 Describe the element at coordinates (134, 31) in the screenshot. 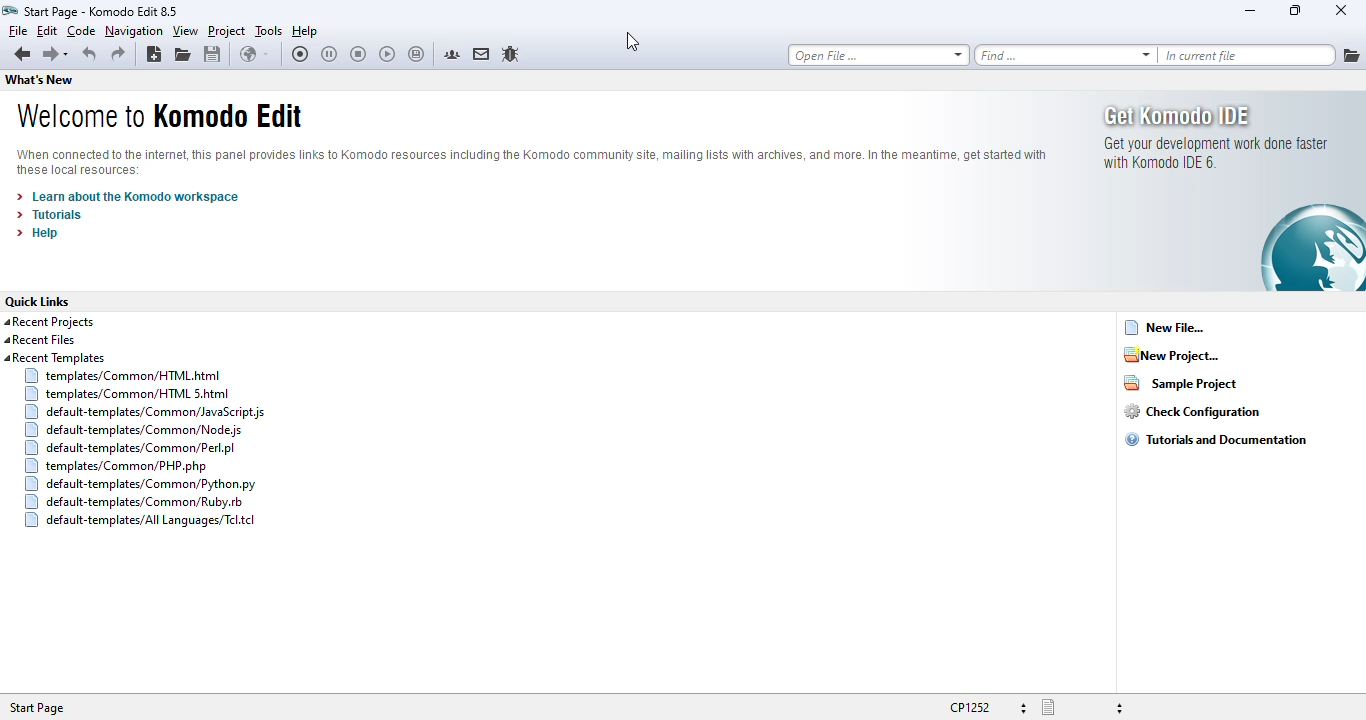

I see `navigation` at that location.